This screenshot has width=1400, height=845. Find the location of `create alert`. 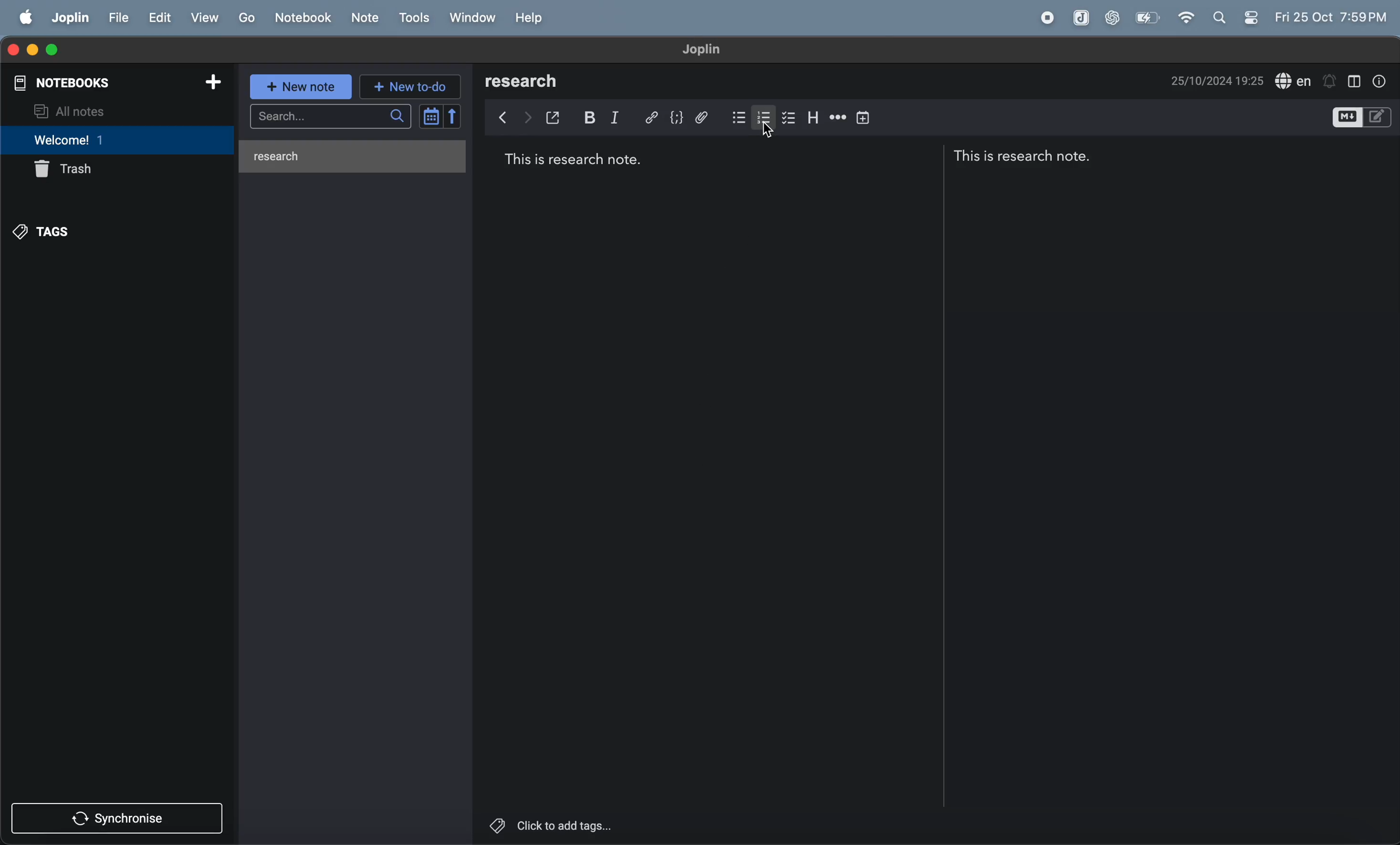

create alert is located at coordinates (1330, 82).